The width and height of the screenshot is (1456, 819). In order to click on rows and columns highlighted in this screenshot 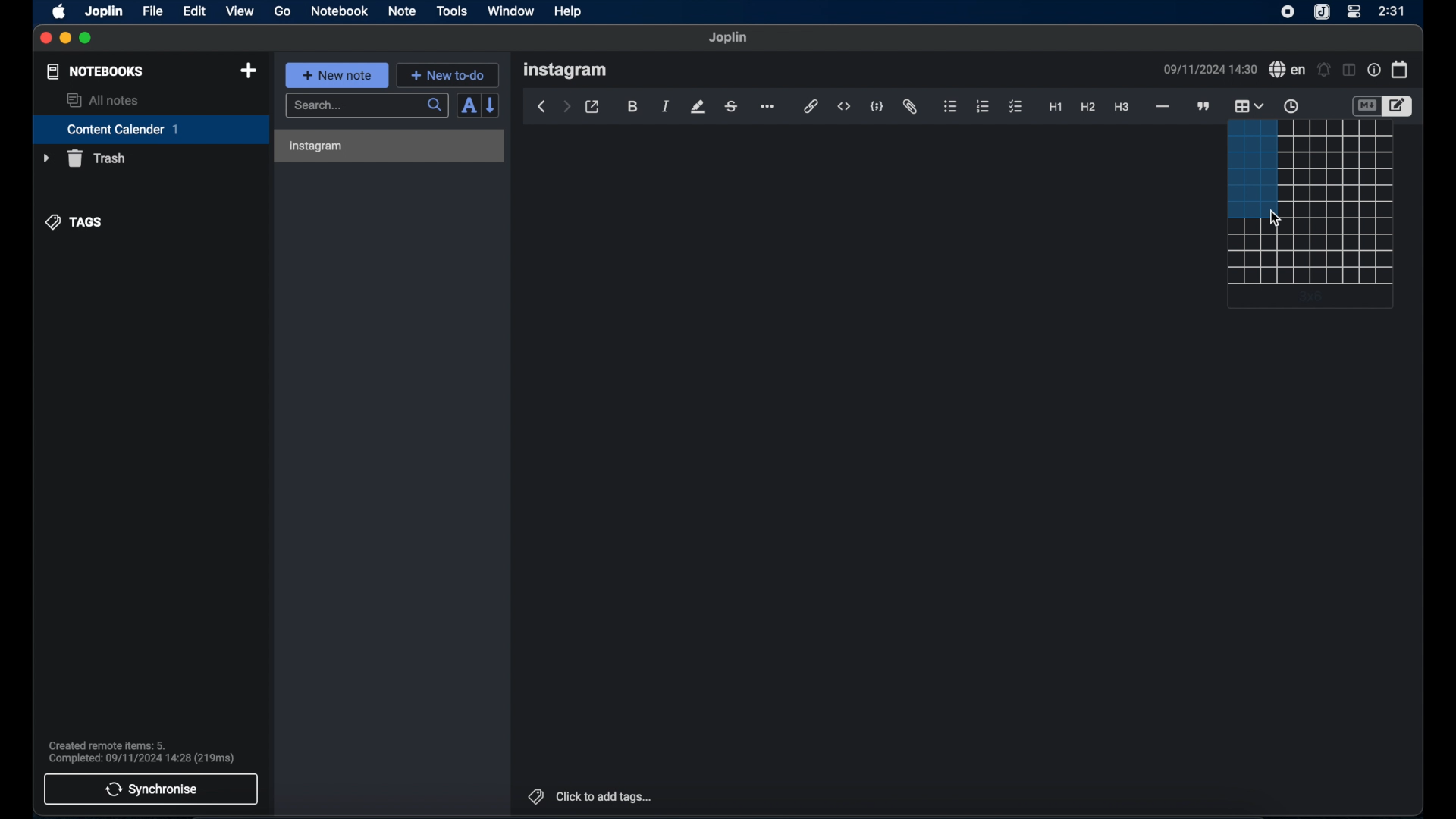, I will do `click(1250, 167)`.